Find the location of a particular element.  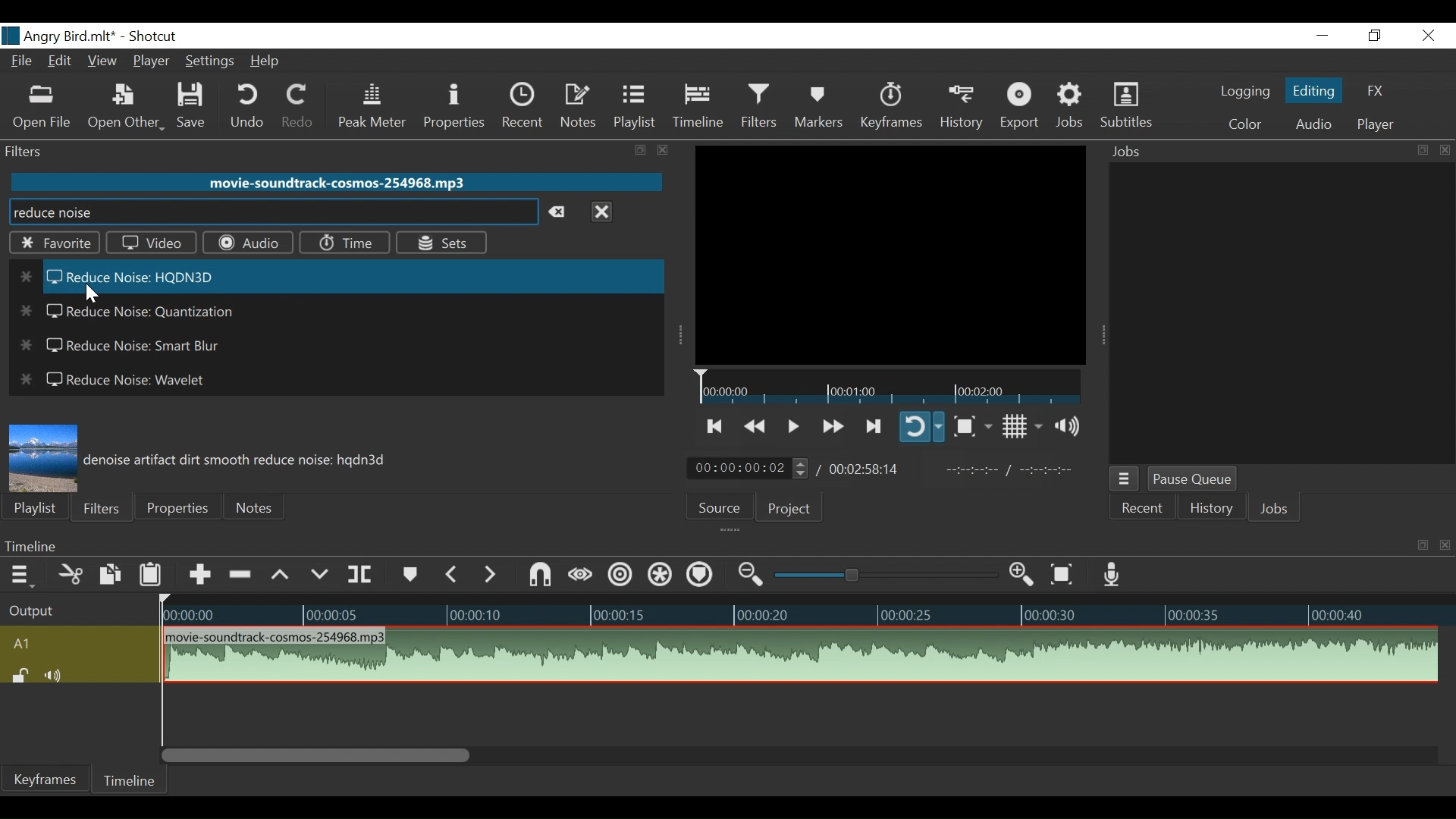

Notes is located at coordinates (580, 106).